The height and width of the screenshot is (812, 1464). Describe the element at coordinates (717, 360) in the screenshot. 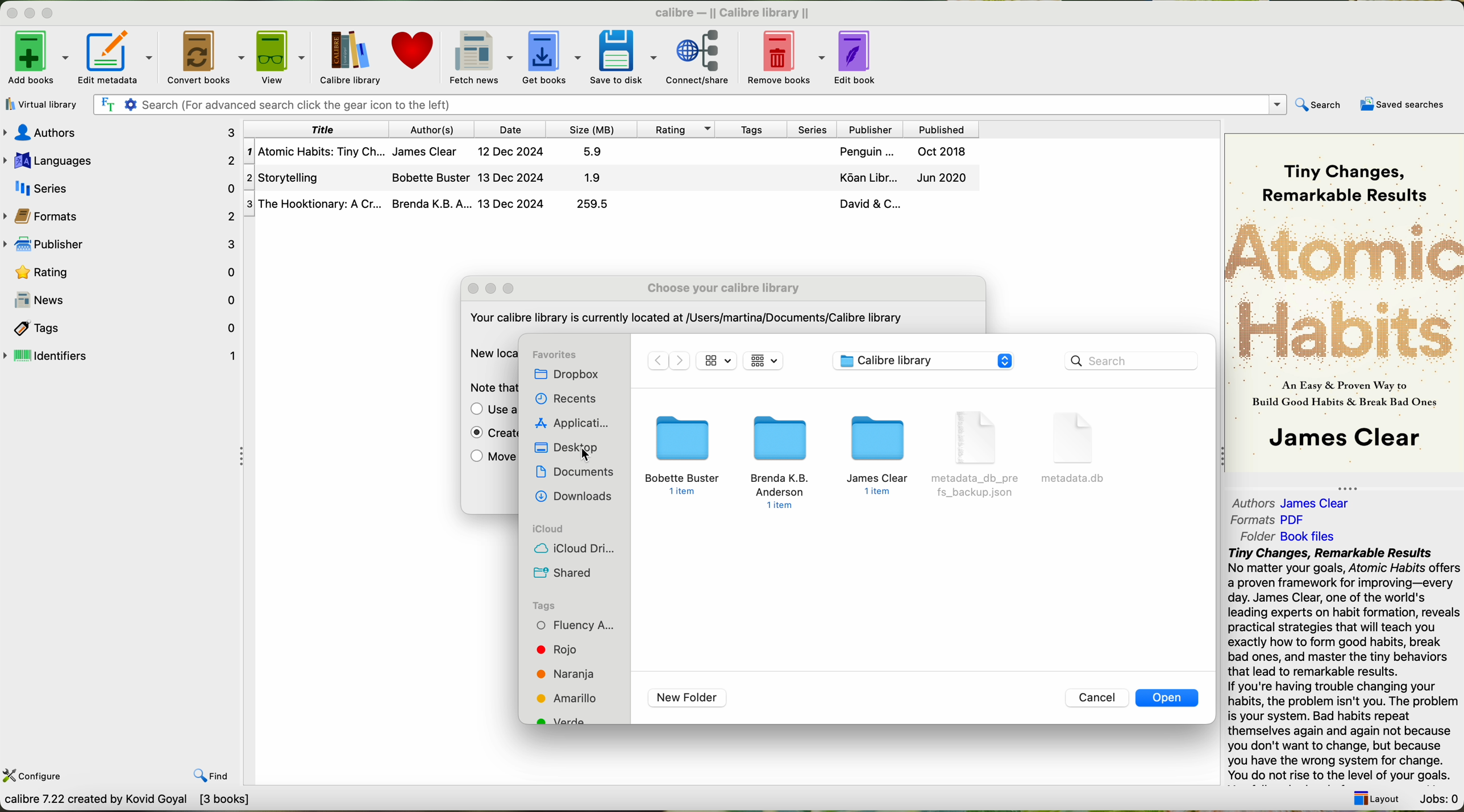

I see `icon` at that location.